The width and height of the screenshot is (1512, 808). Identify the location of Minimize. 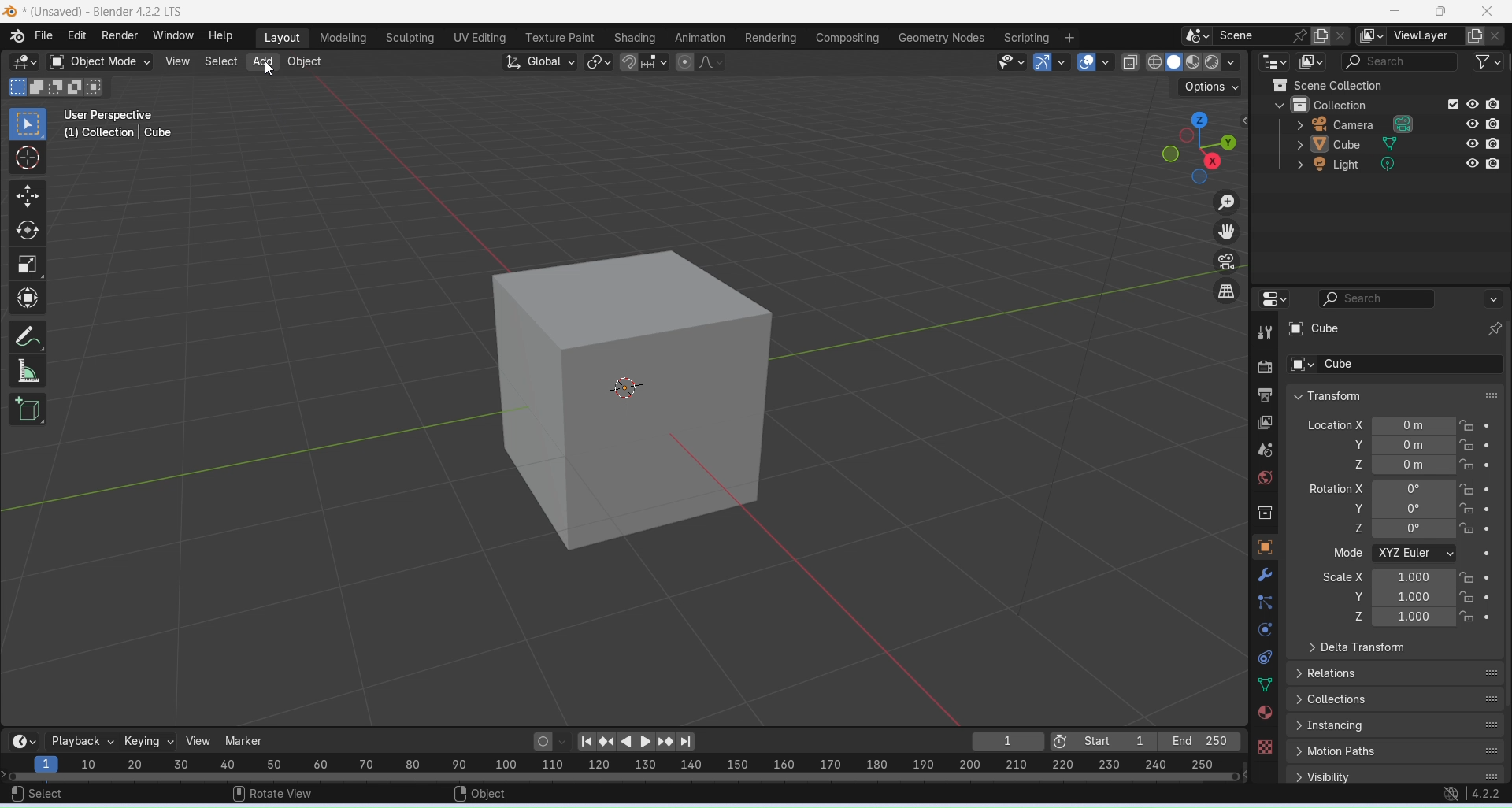
(1395, 11).